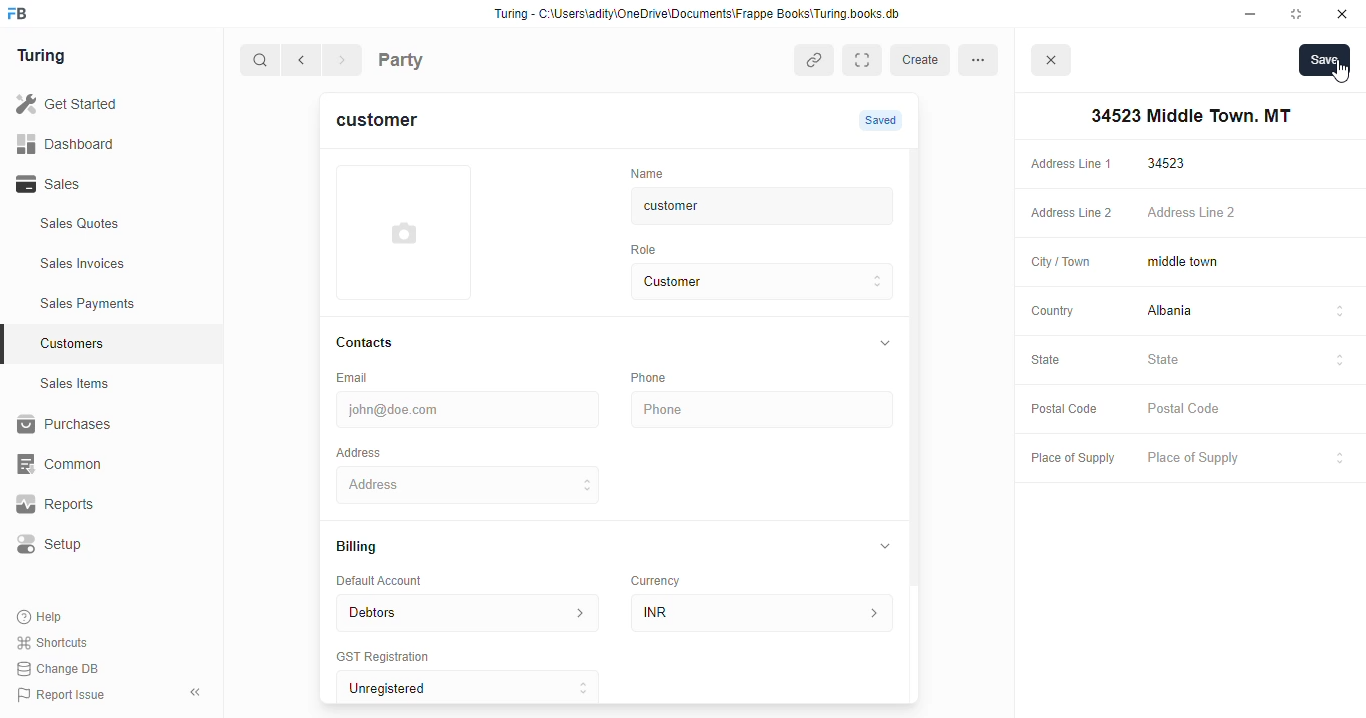 Image resolution: width=1366 pixels, height=718 pixels. What do you see at coordinates (471, 407) in the screenshot?
I see `john@doe.com` at bounding box center [471, 407].